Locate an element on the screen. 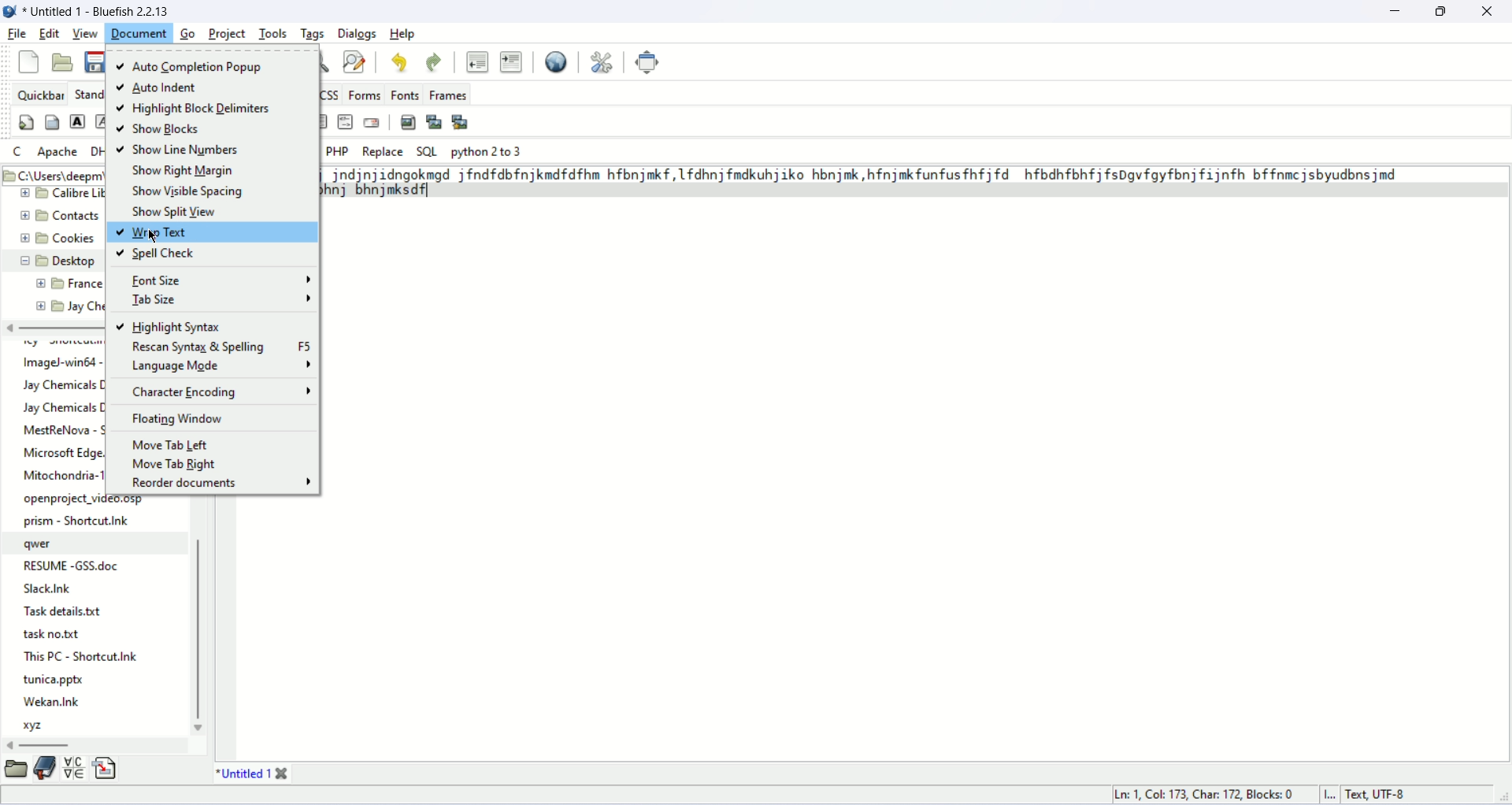 The width and height of the screenshot is (1512, 805). maximize is located at coordinates (1442, 10).